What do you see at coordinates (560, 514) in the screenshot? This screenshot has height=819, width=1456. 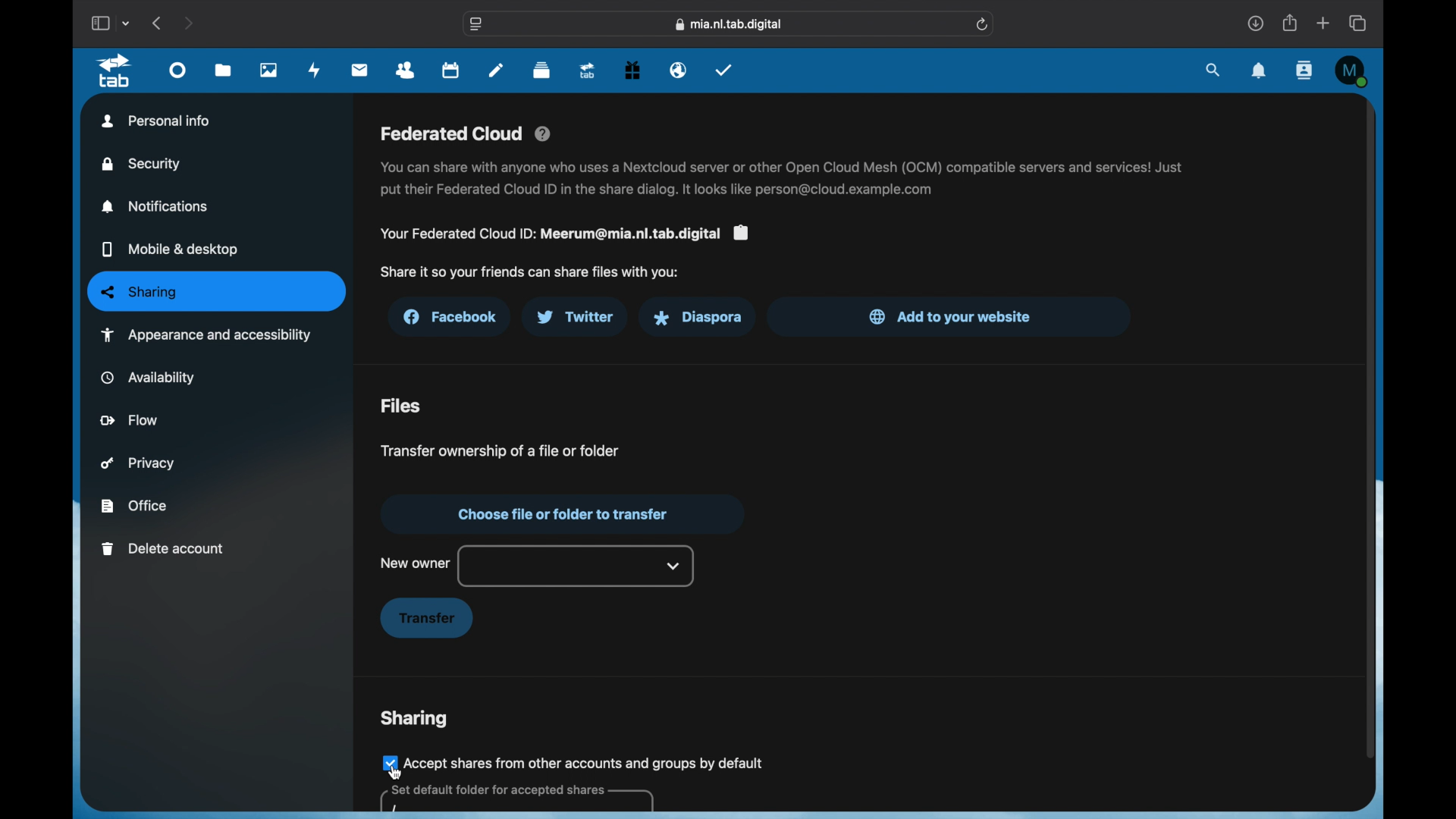 I see `choose file or folder to transfer` at bounding box center [560, 514].